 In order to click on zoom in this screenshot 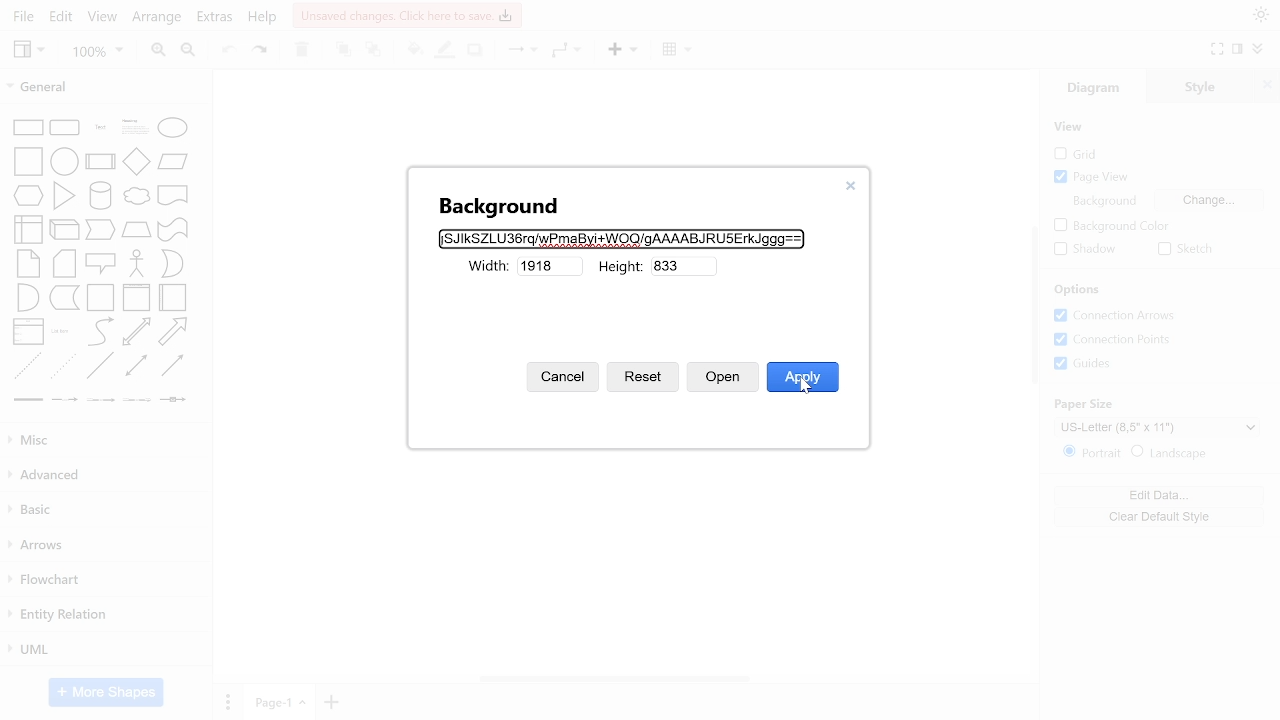, I will do `click(98, 53)`.